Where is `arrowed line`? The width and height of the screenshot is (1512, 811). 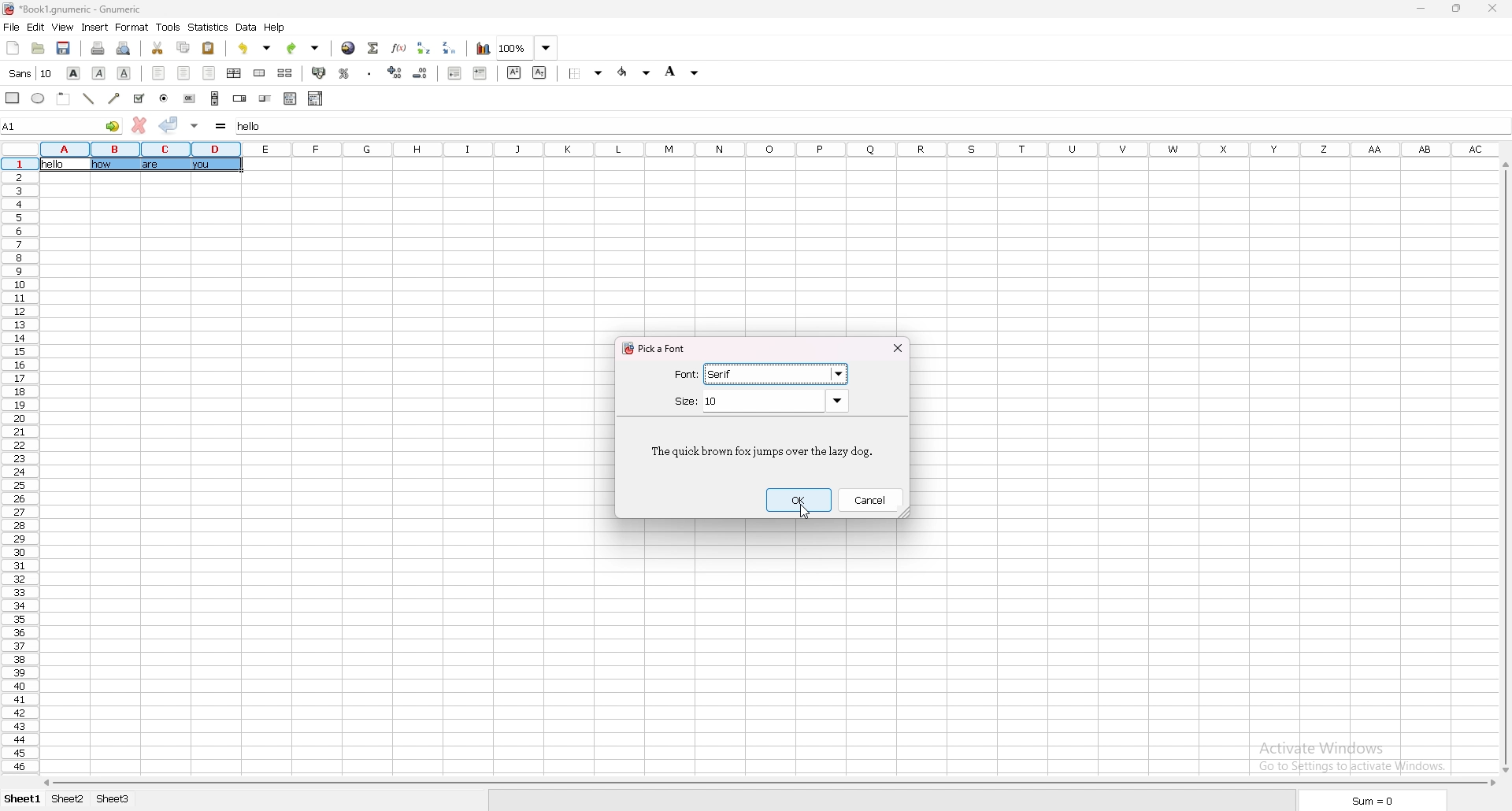 arrowed line is located at coordinates (113, 98).